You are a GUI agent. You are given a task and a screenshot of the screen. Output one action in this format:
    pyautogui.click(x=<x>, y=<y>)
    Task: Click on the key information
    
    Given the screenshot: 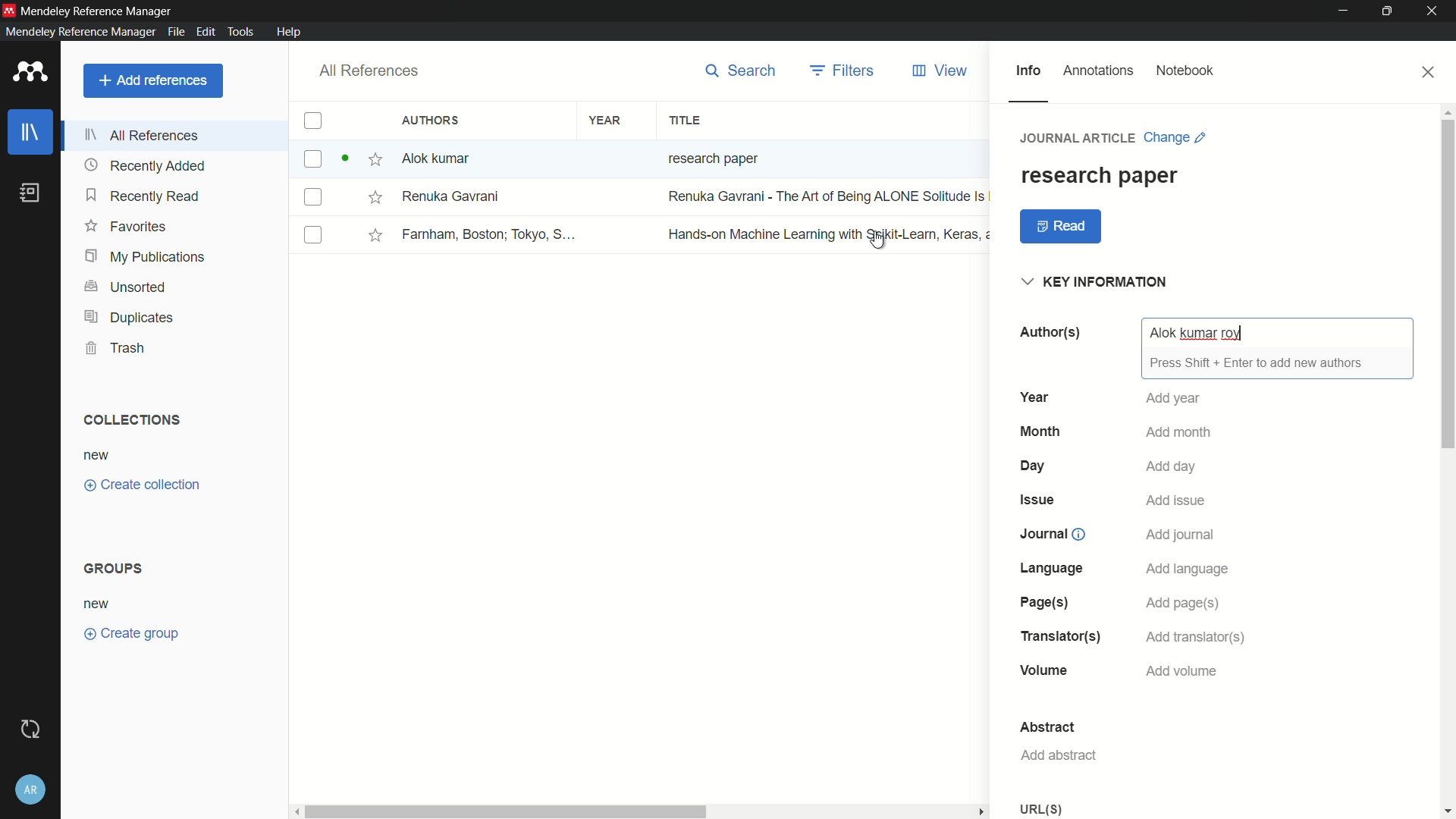 What is the action you would take?
    pyautogui.click(x=1097, y=283)
    